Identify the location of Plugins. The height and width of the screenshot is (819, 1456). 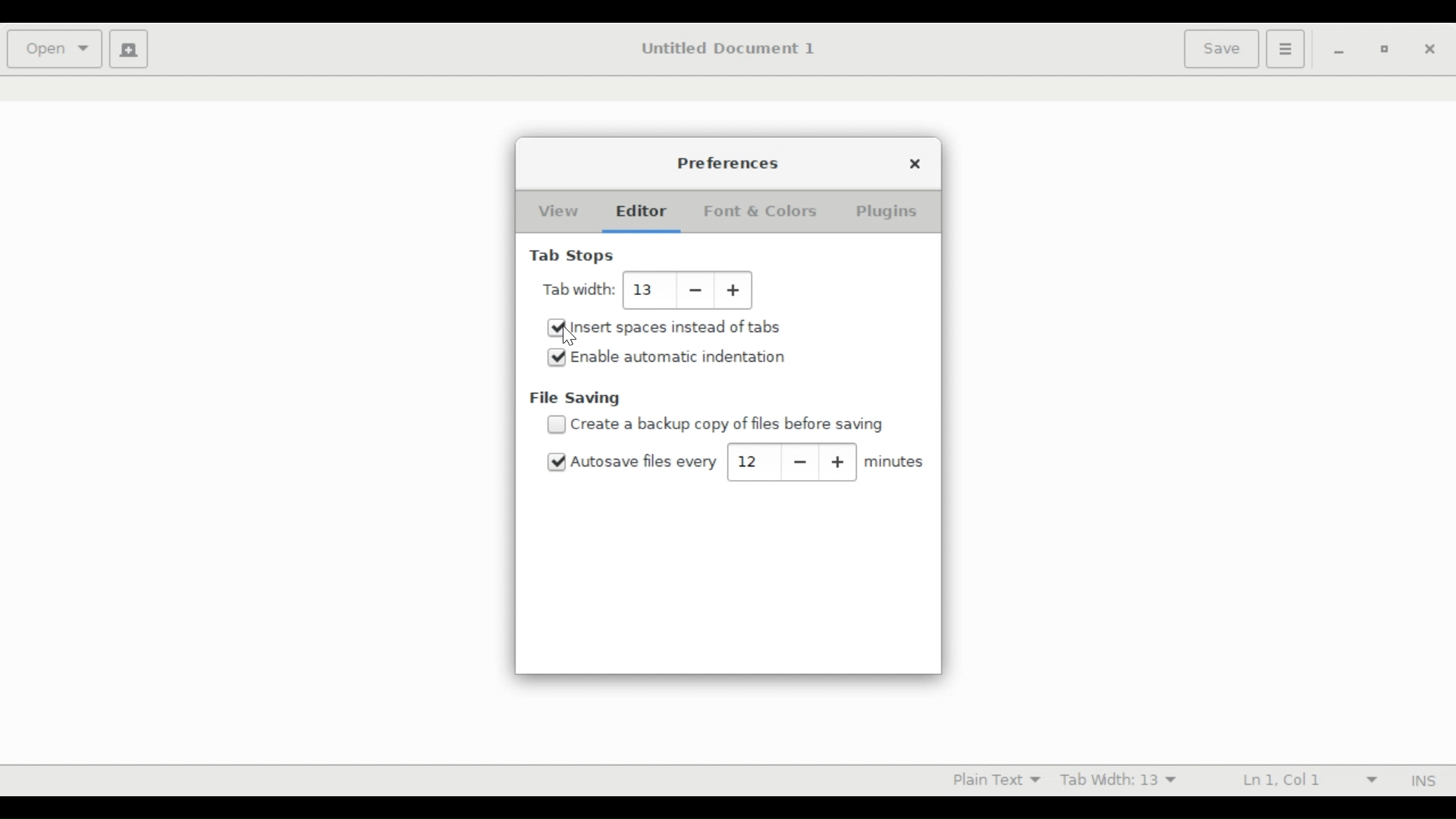
(886, 212).